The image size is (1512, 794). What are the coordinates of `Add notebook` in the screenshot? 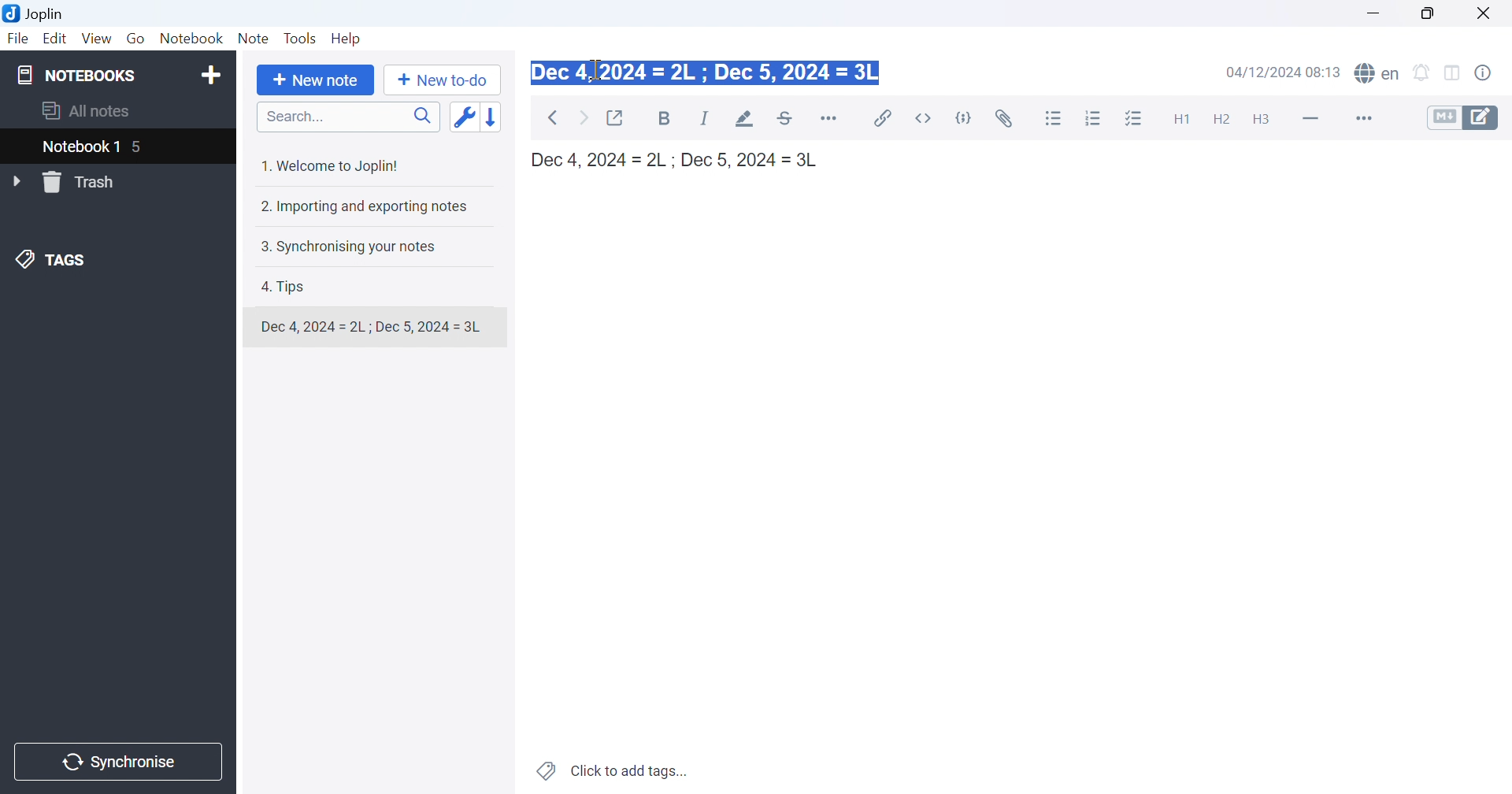 It's located at (209, 76).